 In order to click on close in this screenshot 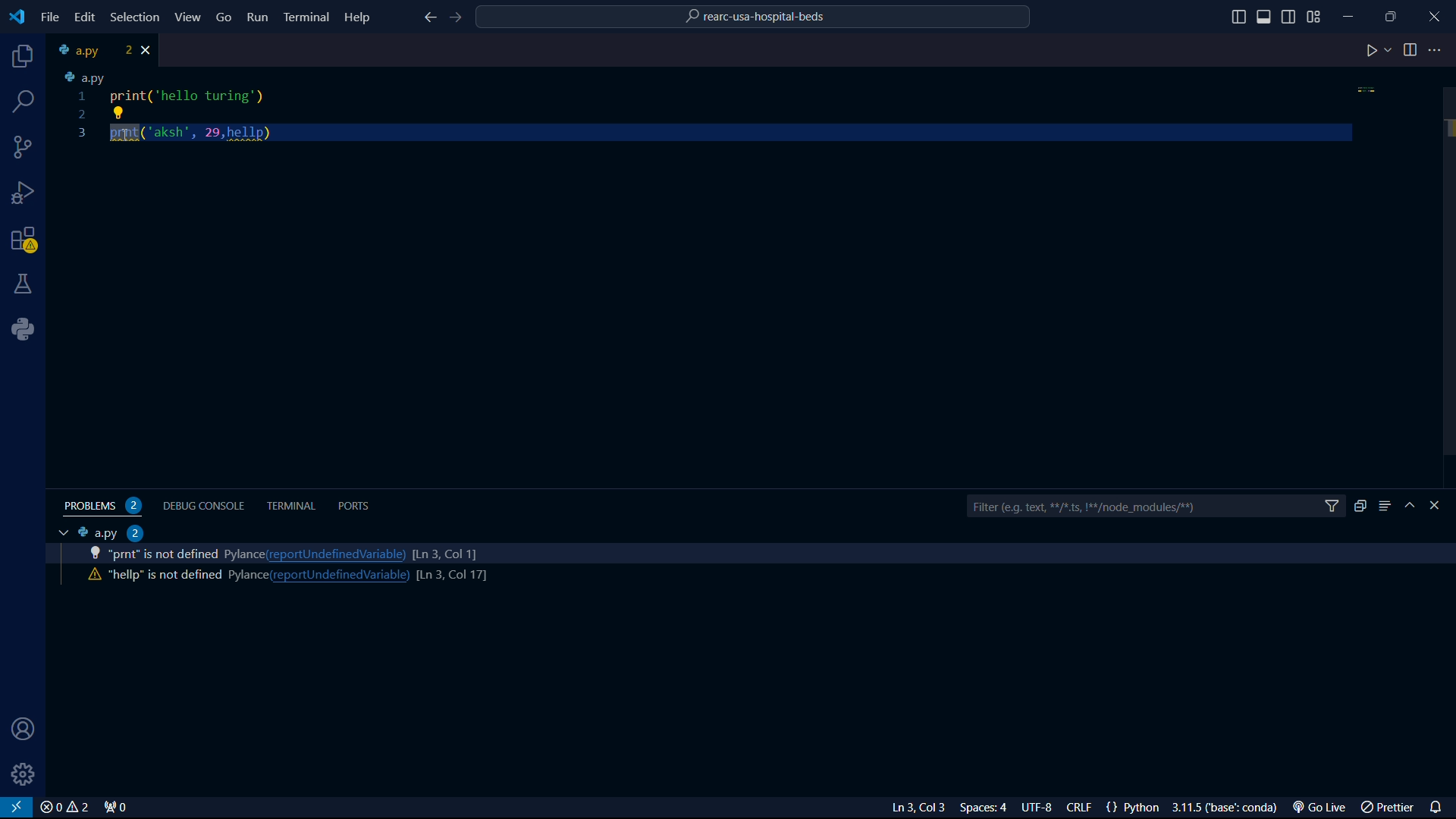, I will do `click(149, 50)`.